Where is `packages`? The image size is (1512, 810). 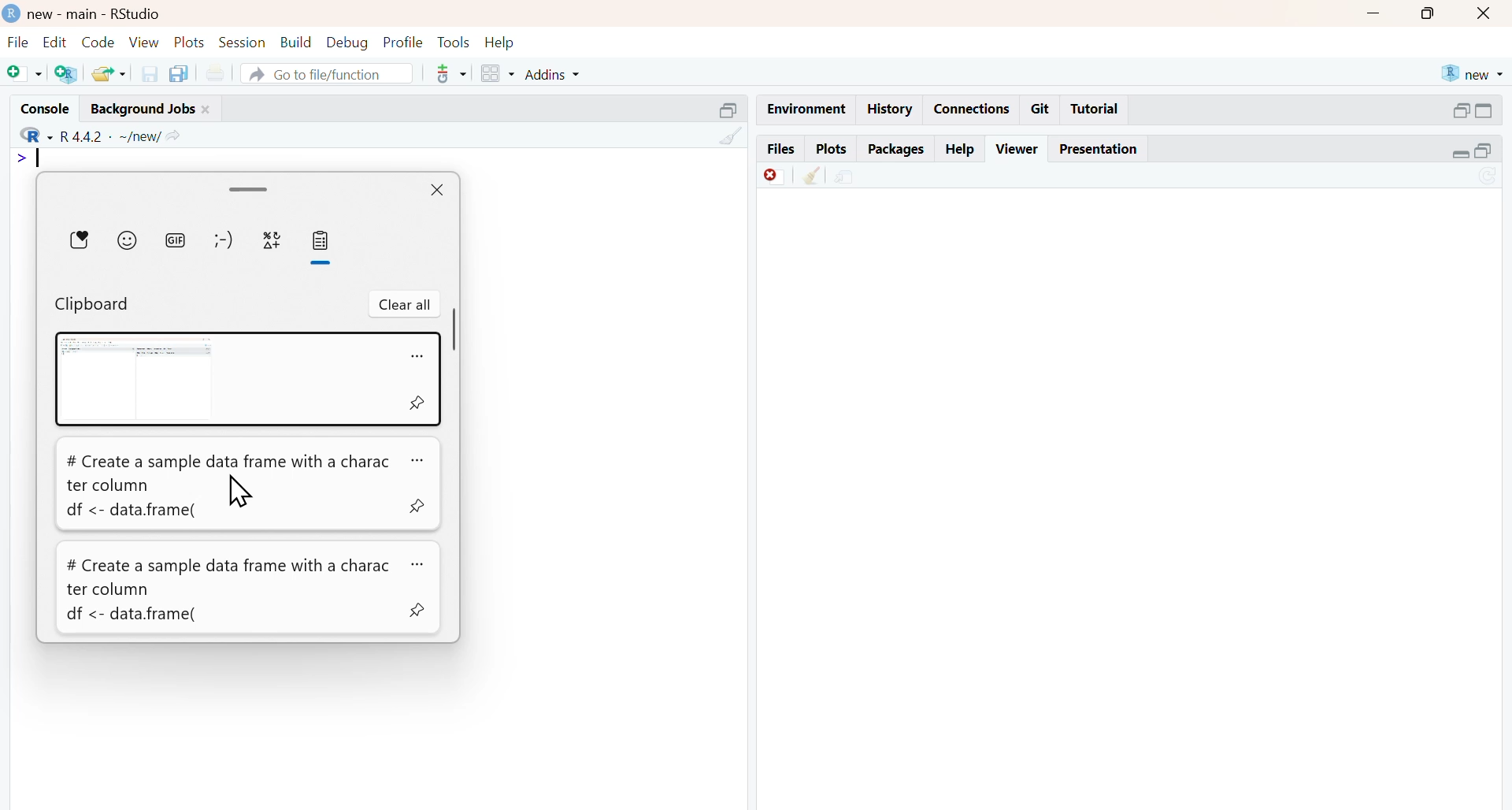
packages is located at coordinates (898, 150).